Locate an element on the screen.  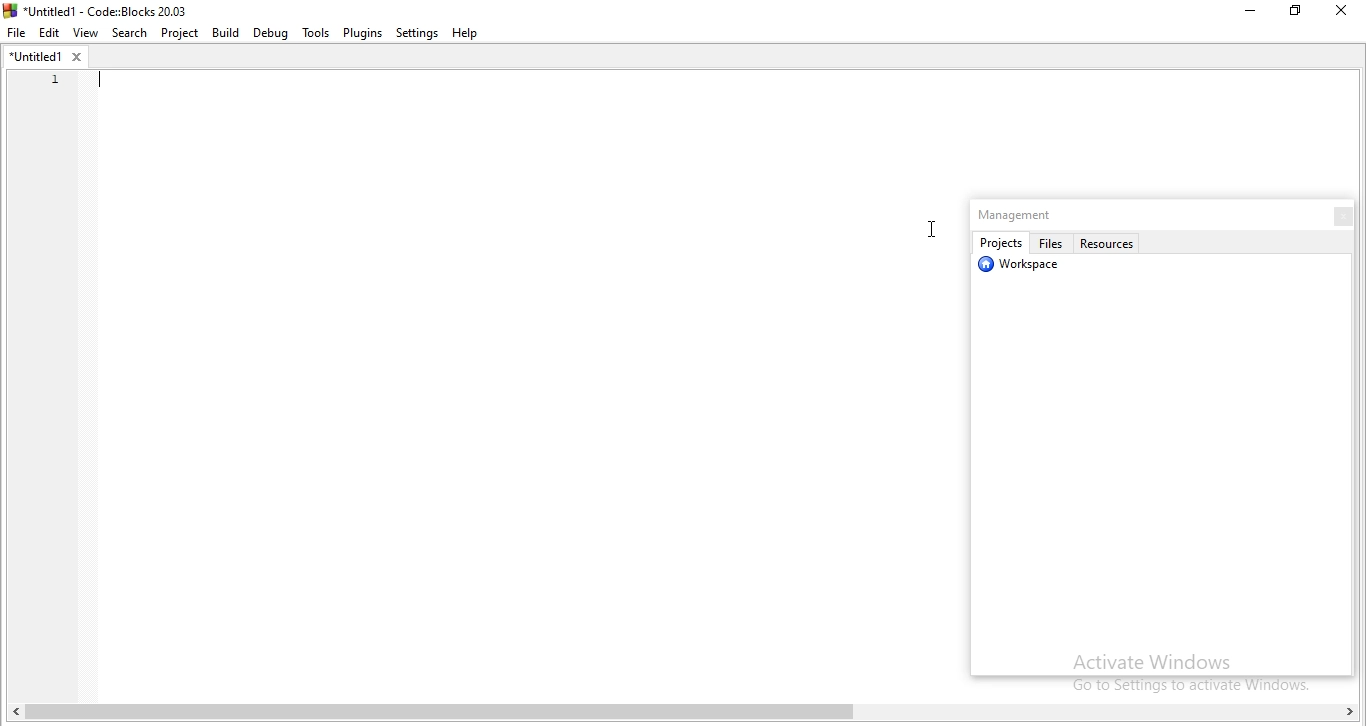
projects is located at coordinates (1000, 243).